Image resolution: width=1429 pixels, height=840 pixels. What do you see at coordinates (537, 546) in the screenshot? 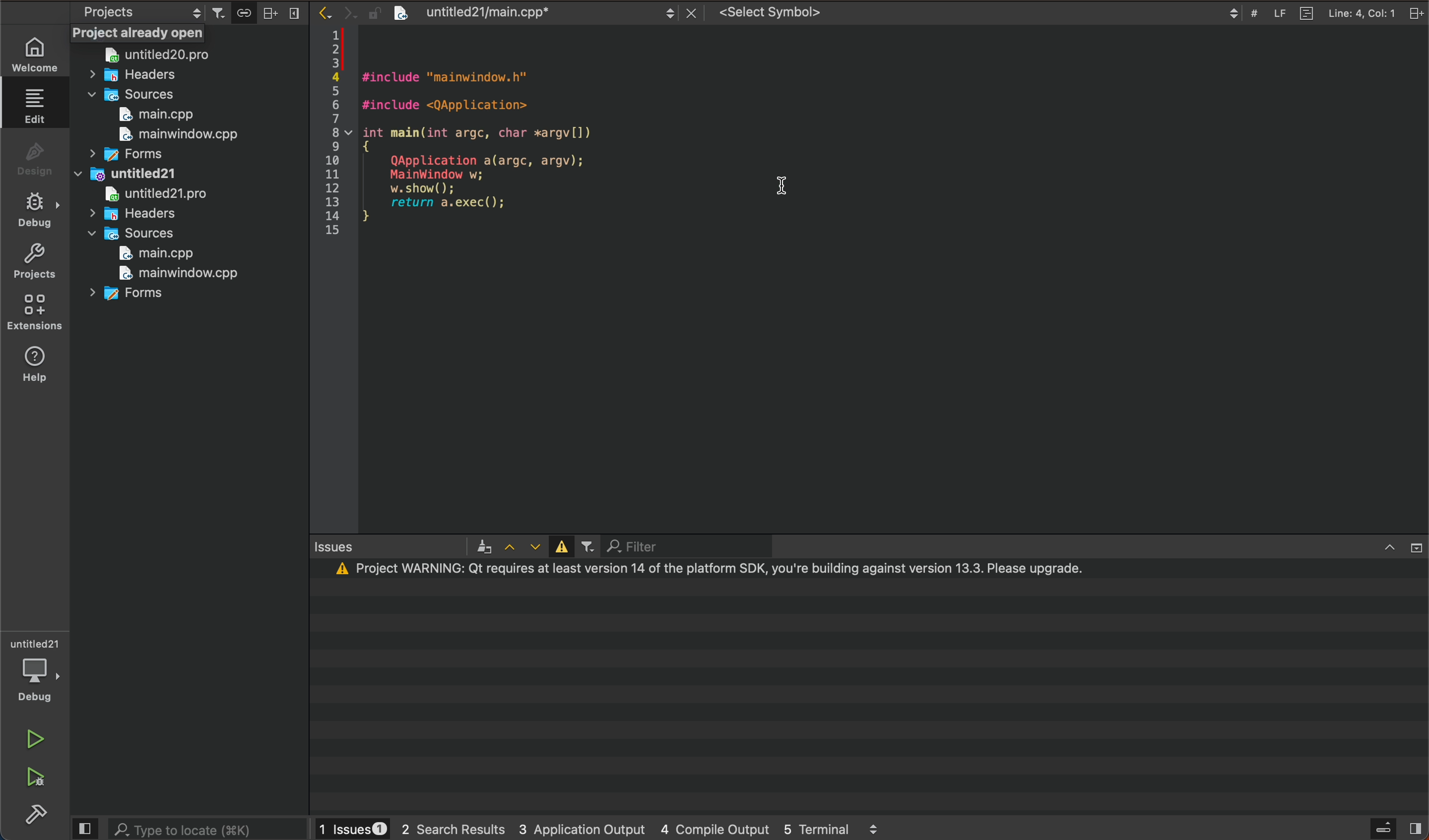
I see `next issue` at bounding box center [537, 546].